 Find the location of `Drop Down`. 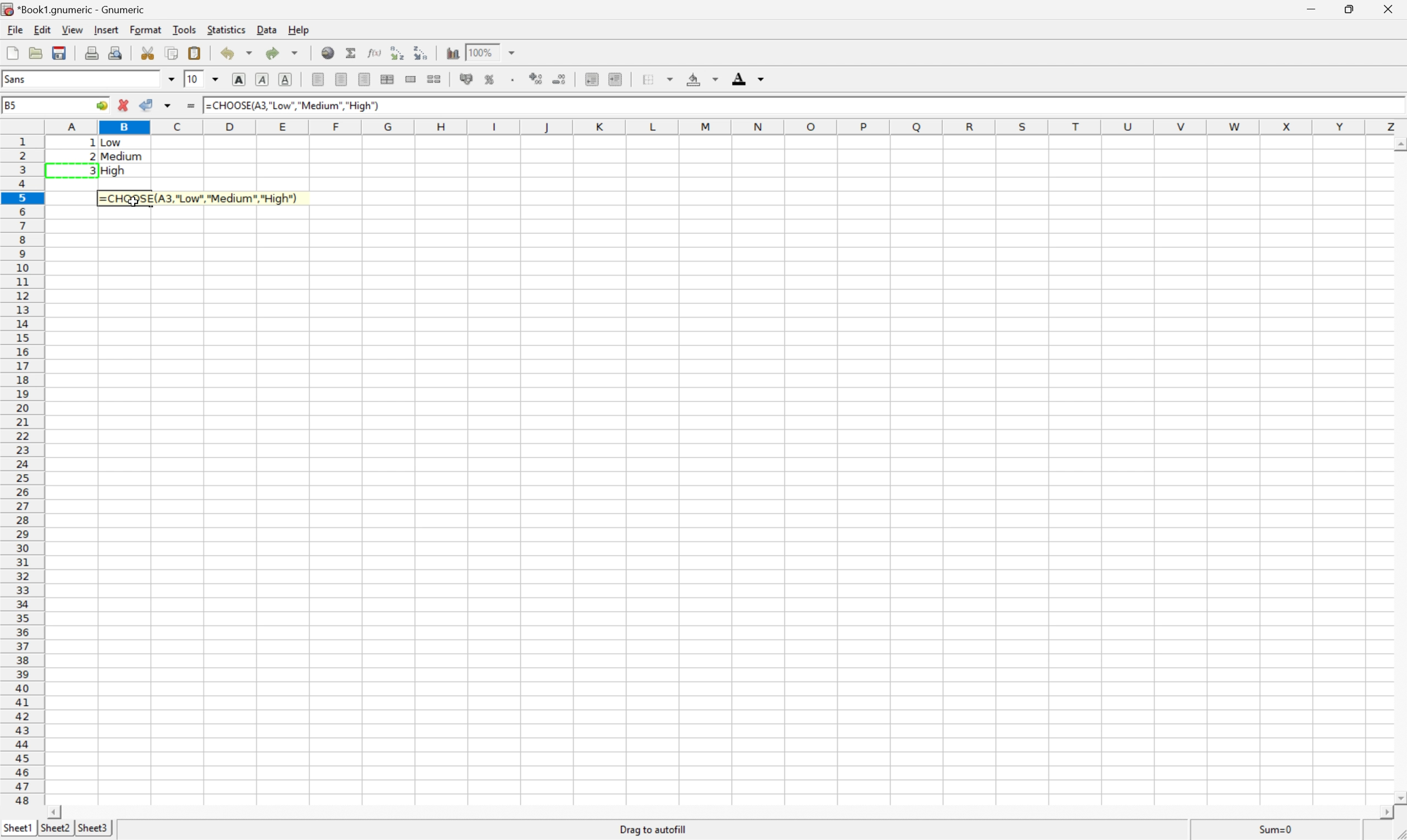

Drop Down is located at coordinates (513, 53).